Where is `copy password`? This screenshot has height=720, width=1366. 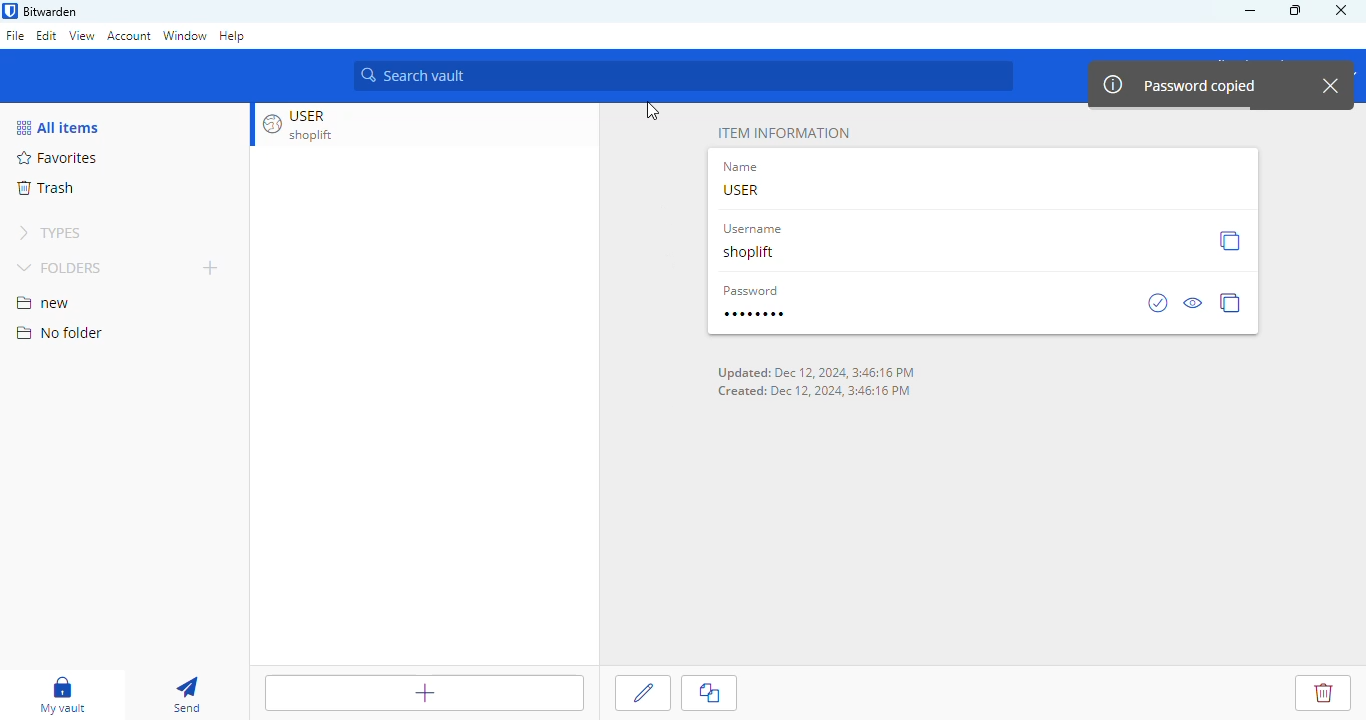 copy password is located at coordinates (1231, 302).